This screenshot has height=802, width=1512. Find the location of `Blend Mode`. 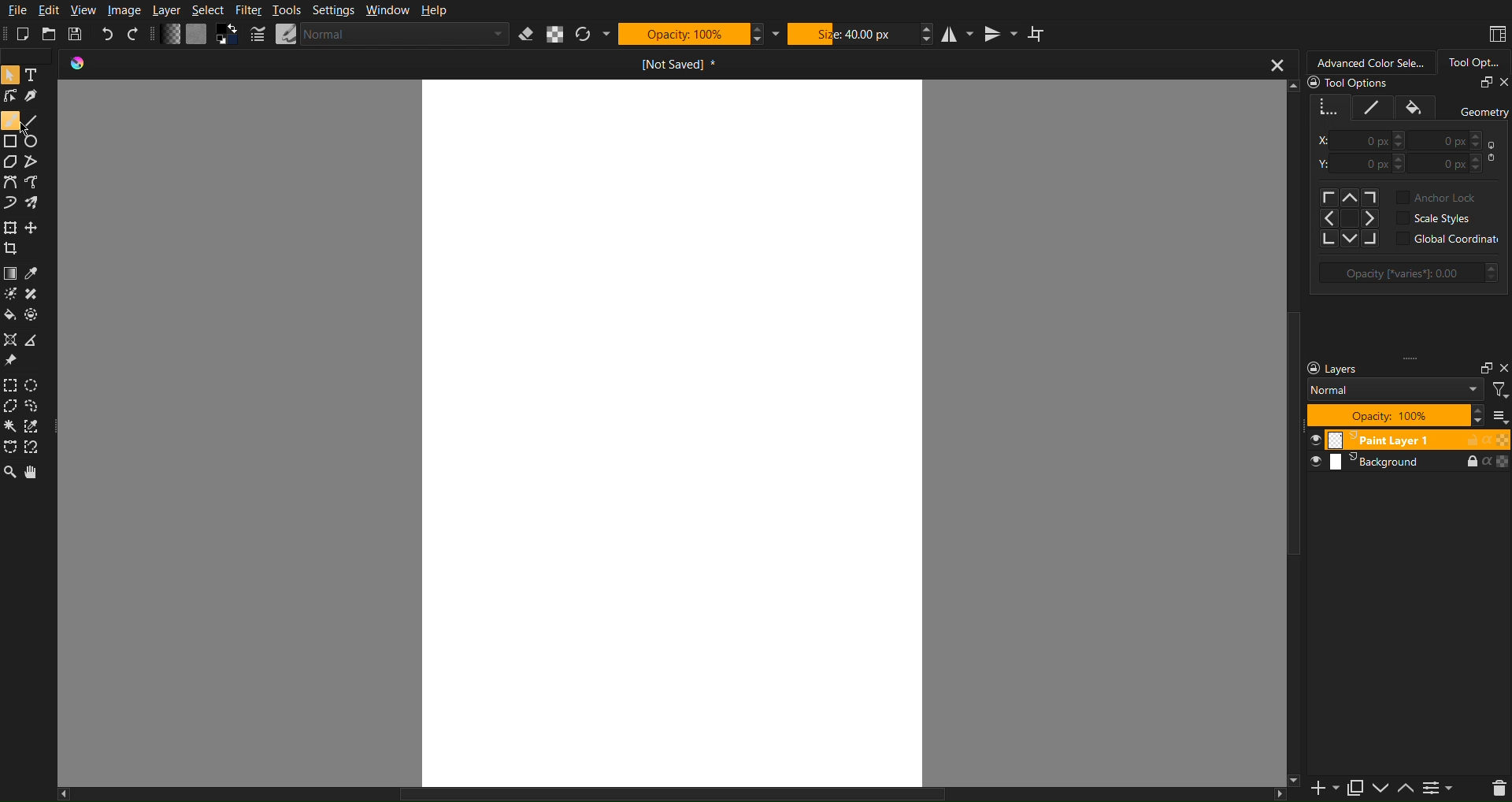

Blend Mode is located at coordinates (1396, 390).